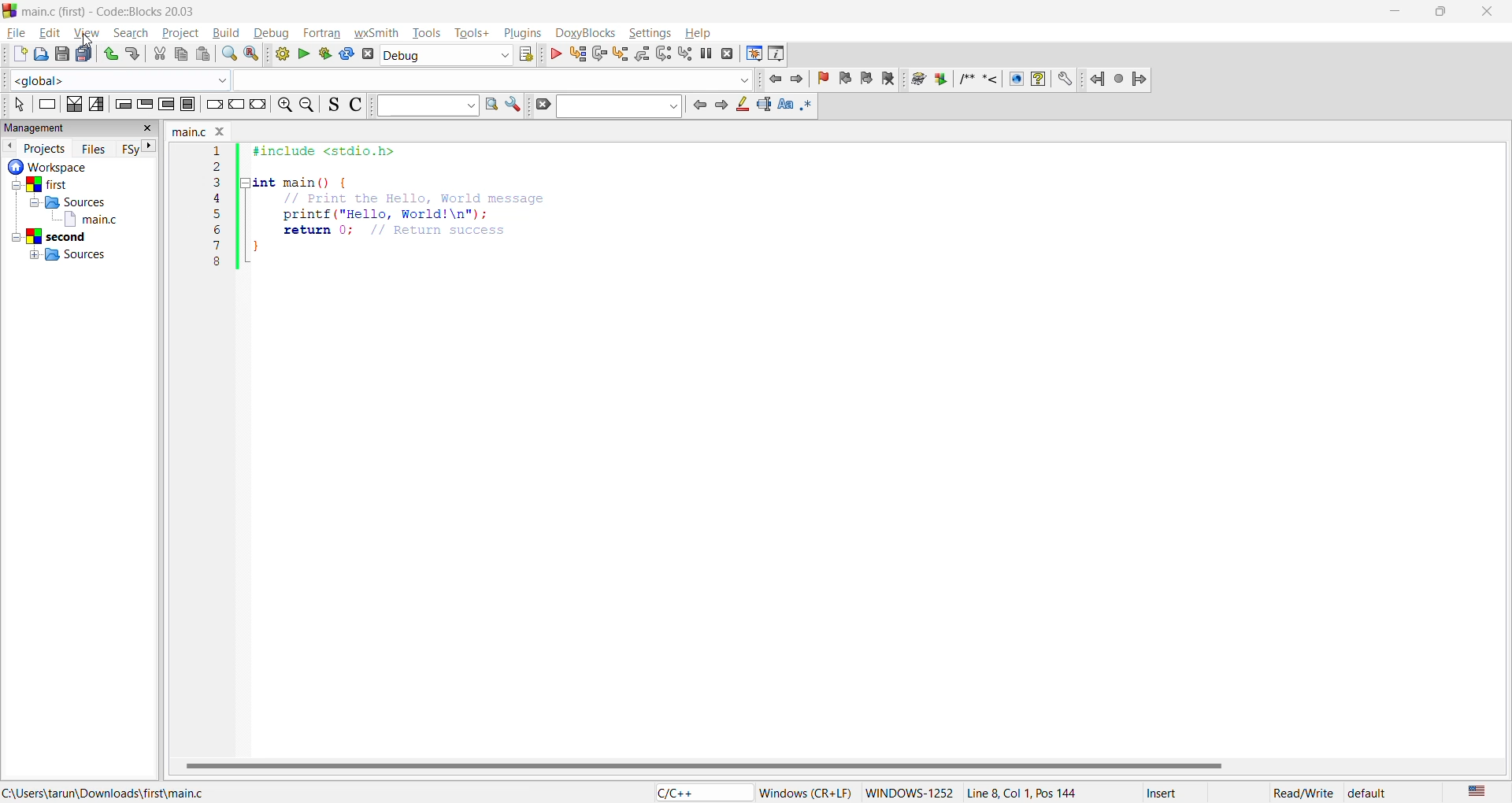  What do you see at coordinates (335, 105) in the screenshot?
I see `toggle source` at bounding box center [335, 105].